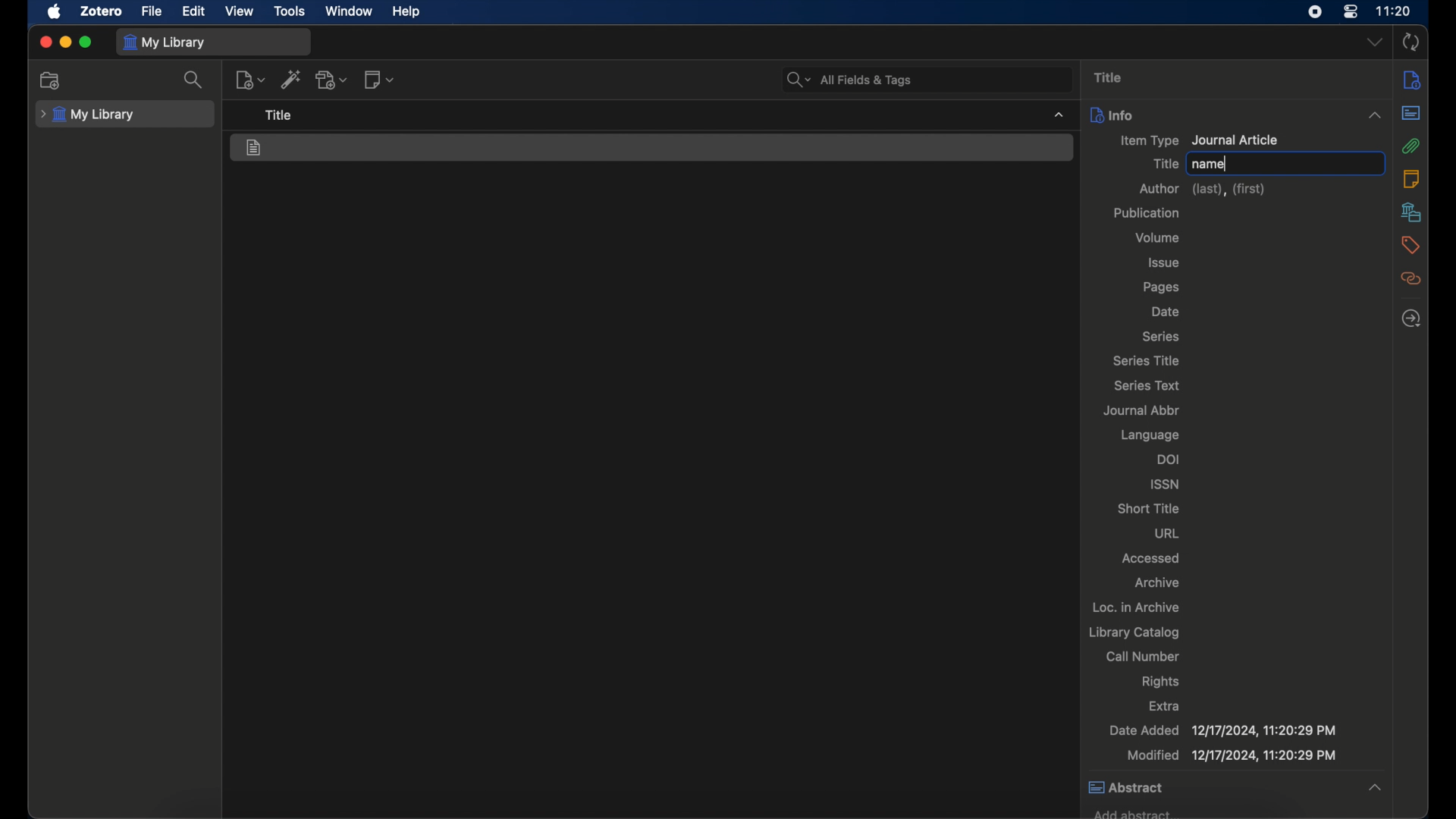 Image resolution: width=1456 pixels, height=819 pixels. I want to click on add note, so click(379, 80).